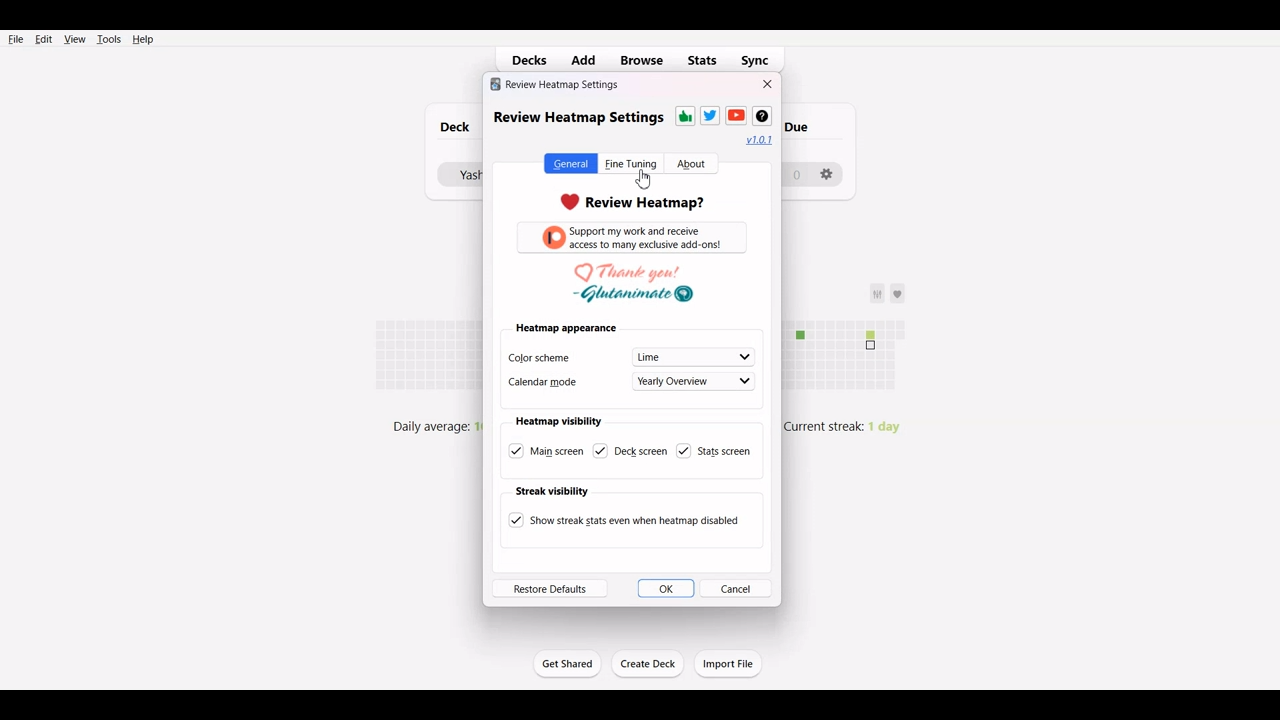 The height and width of the screenshot is (720, 1280). Describe the element at coordinates (665, 588) in the screenshot. I see `OK` at that location.